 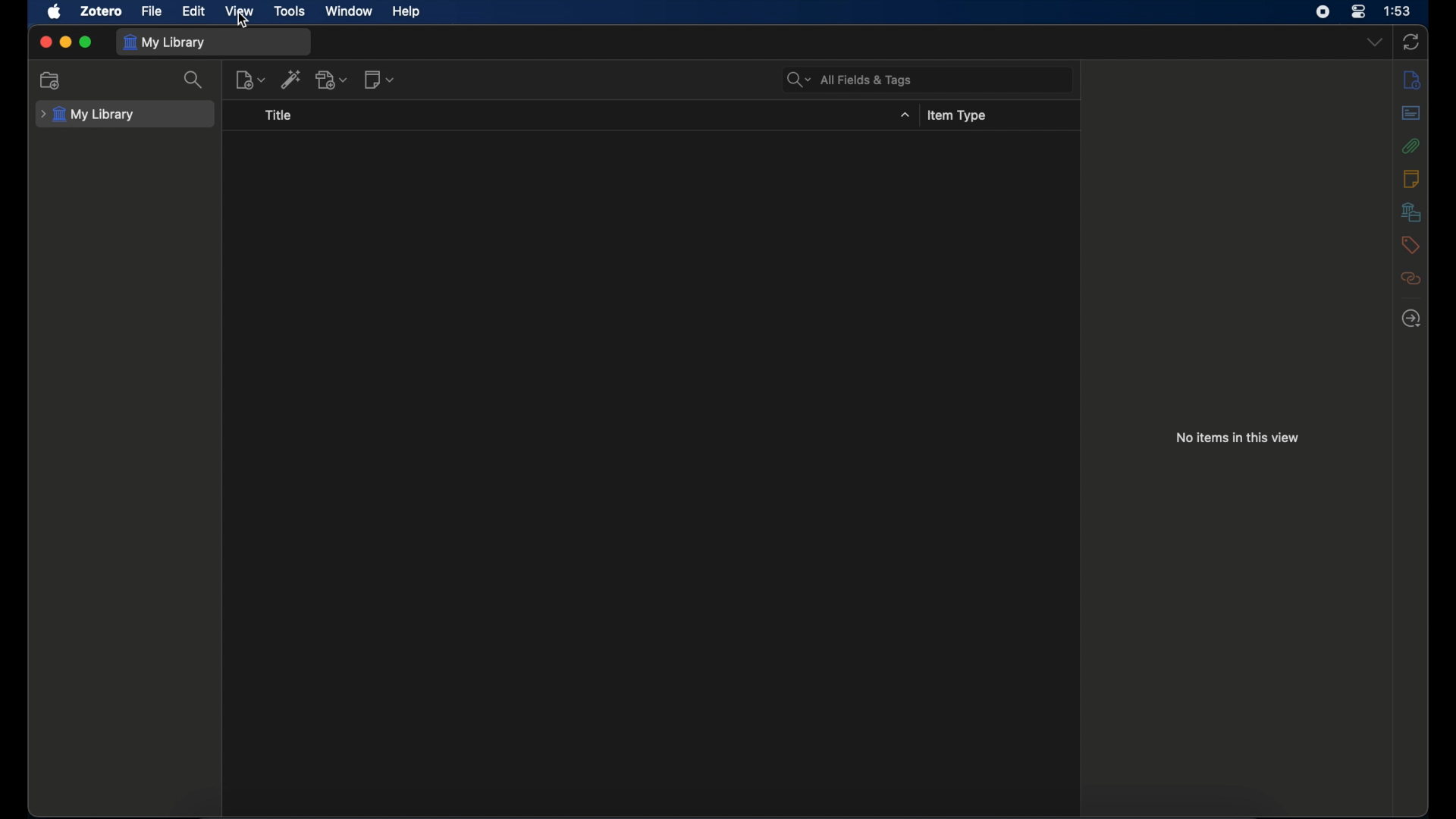 I want to click on new collection, so click(x=51, y=81).